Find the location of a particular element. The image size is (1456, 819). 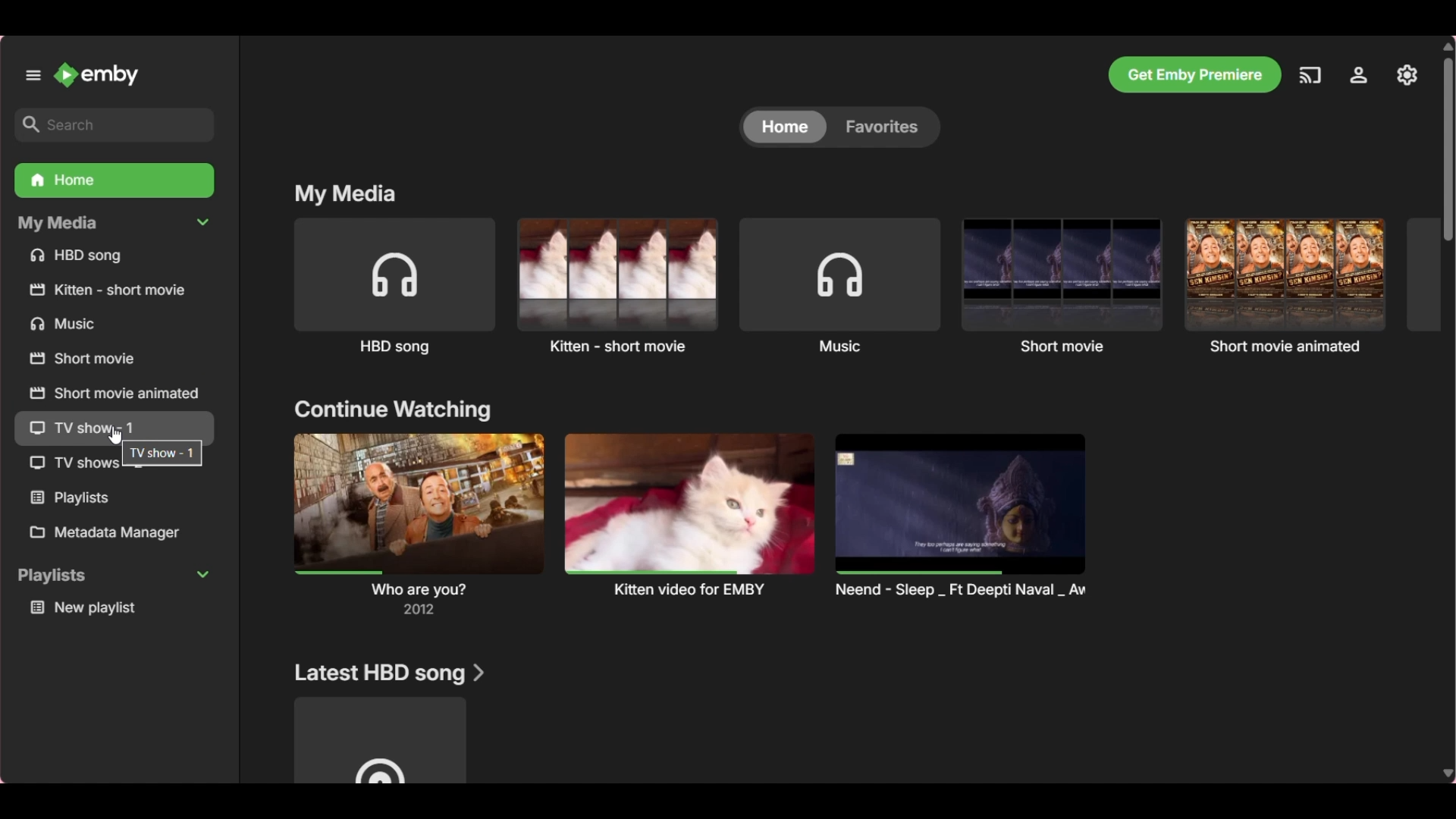

Music is located at coordinates (115, 323).